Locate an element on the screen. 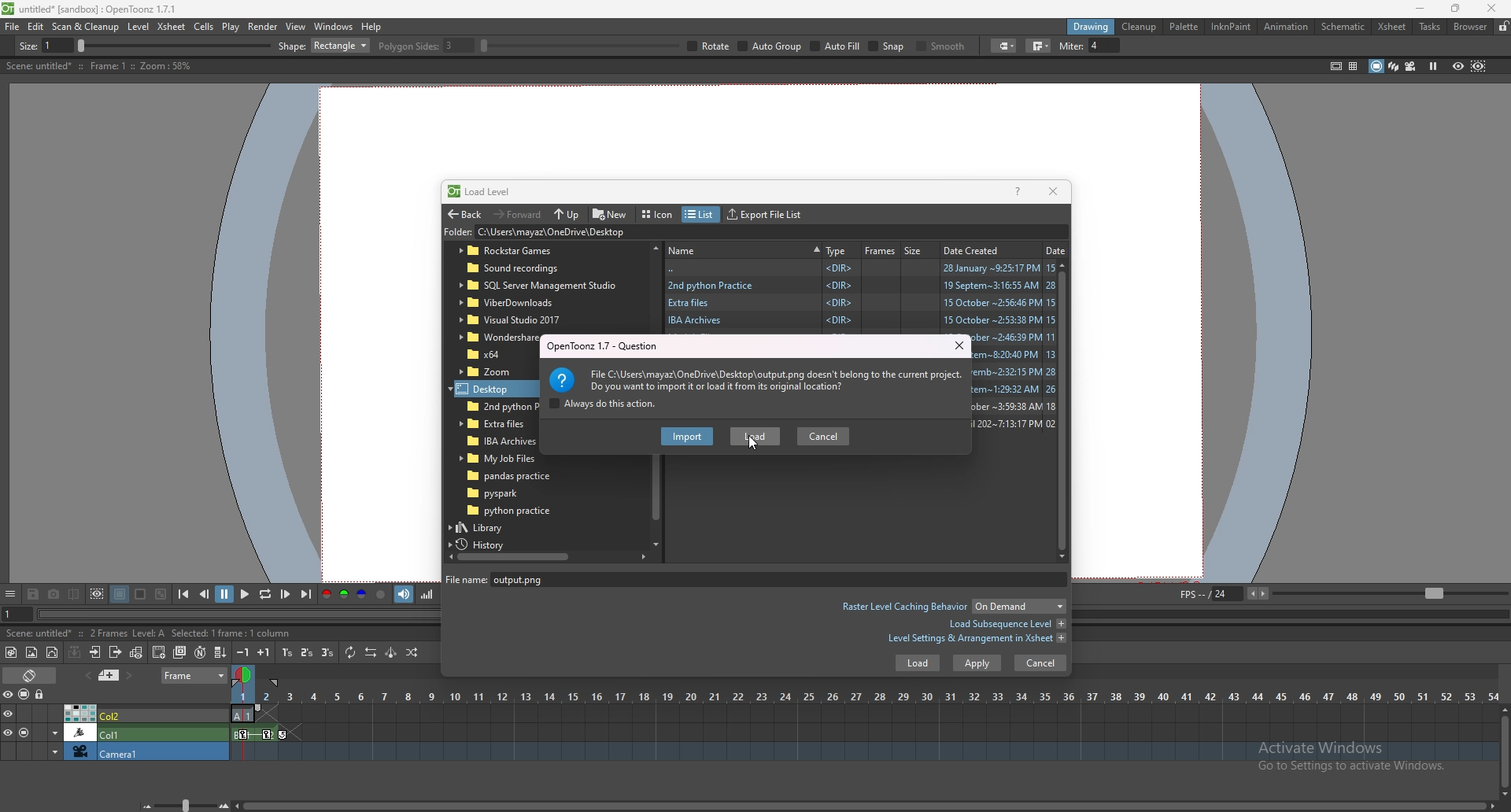  forward is located at coordinates (518, 213).